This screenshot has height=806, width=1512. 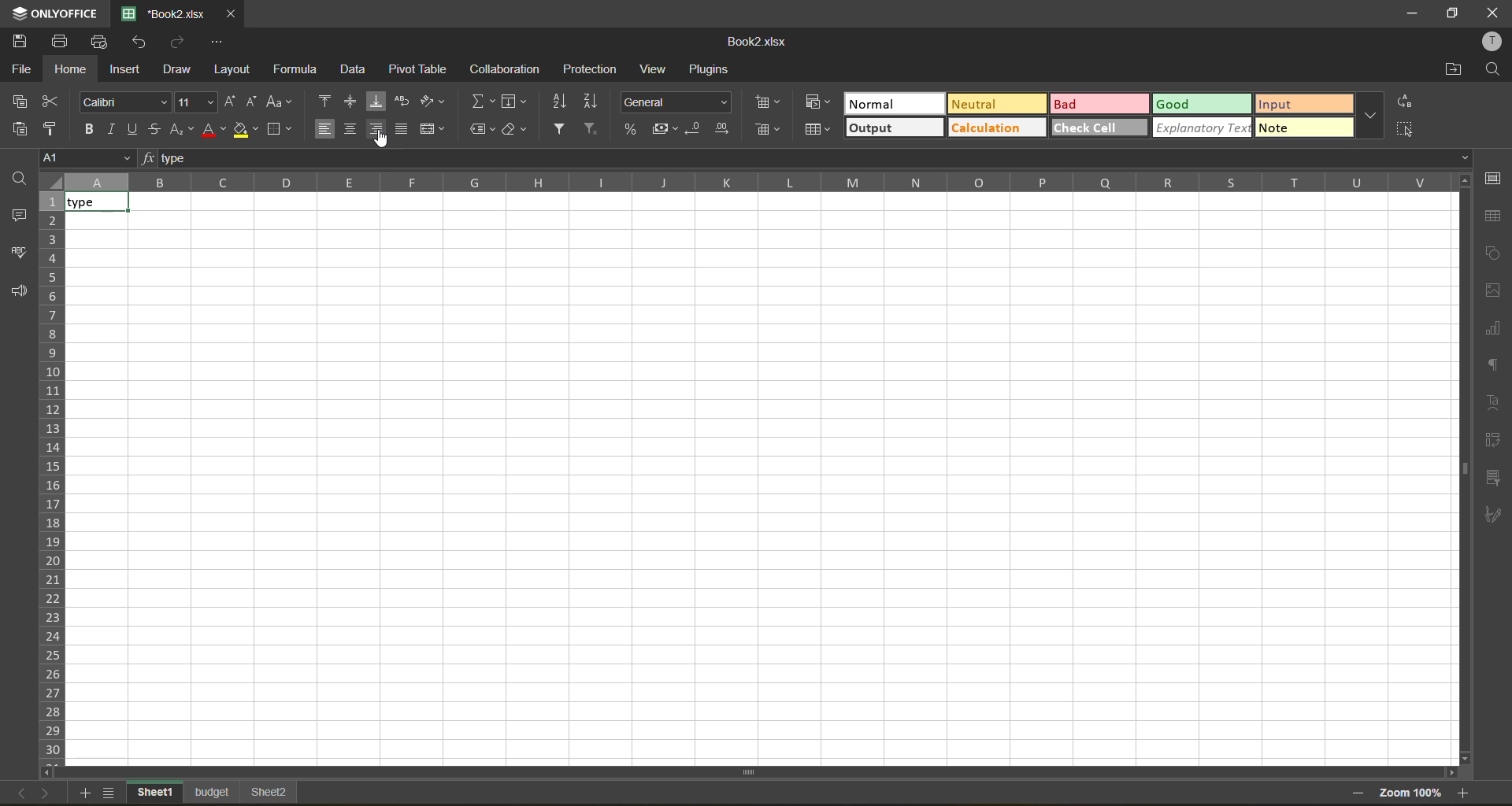 What do you see at coordinates (183, 70) in the screenshot?
I see `draw` at bounding box center [183, 70].